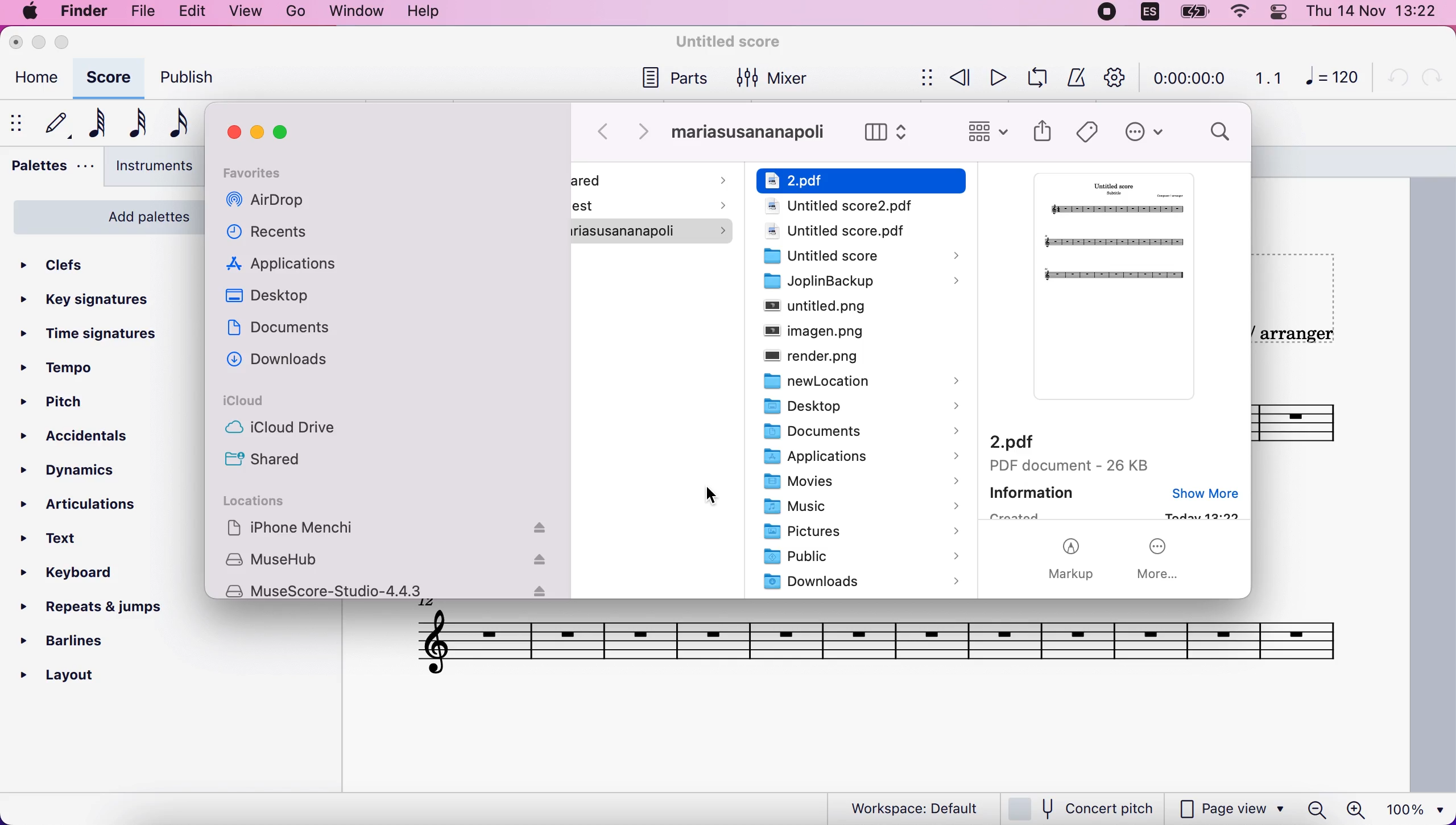 The image size is (1456, 825). Describe the element at coordinates (861, 557) in the screenshot. I see `7] Public` at that location.